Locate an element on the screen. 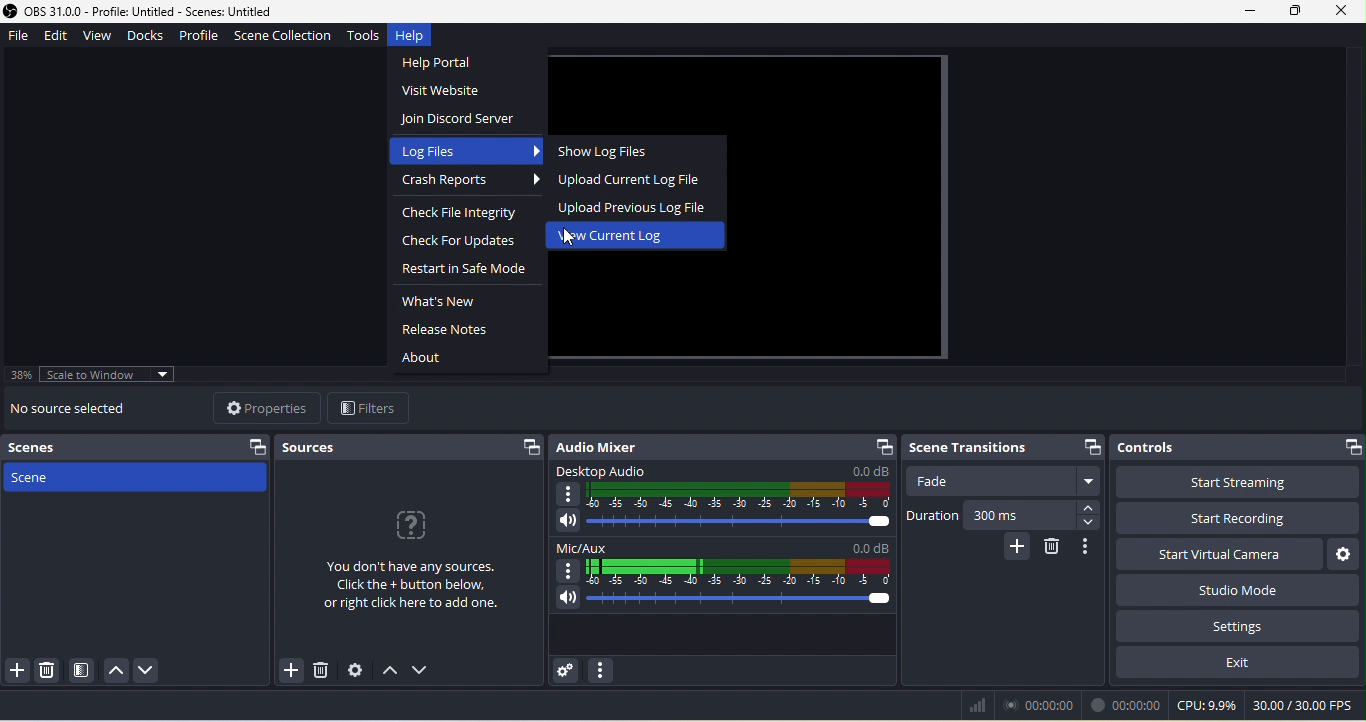 The height and width of the screenshot is (722, 1366). maximize is located at coordinates (1292, 11).